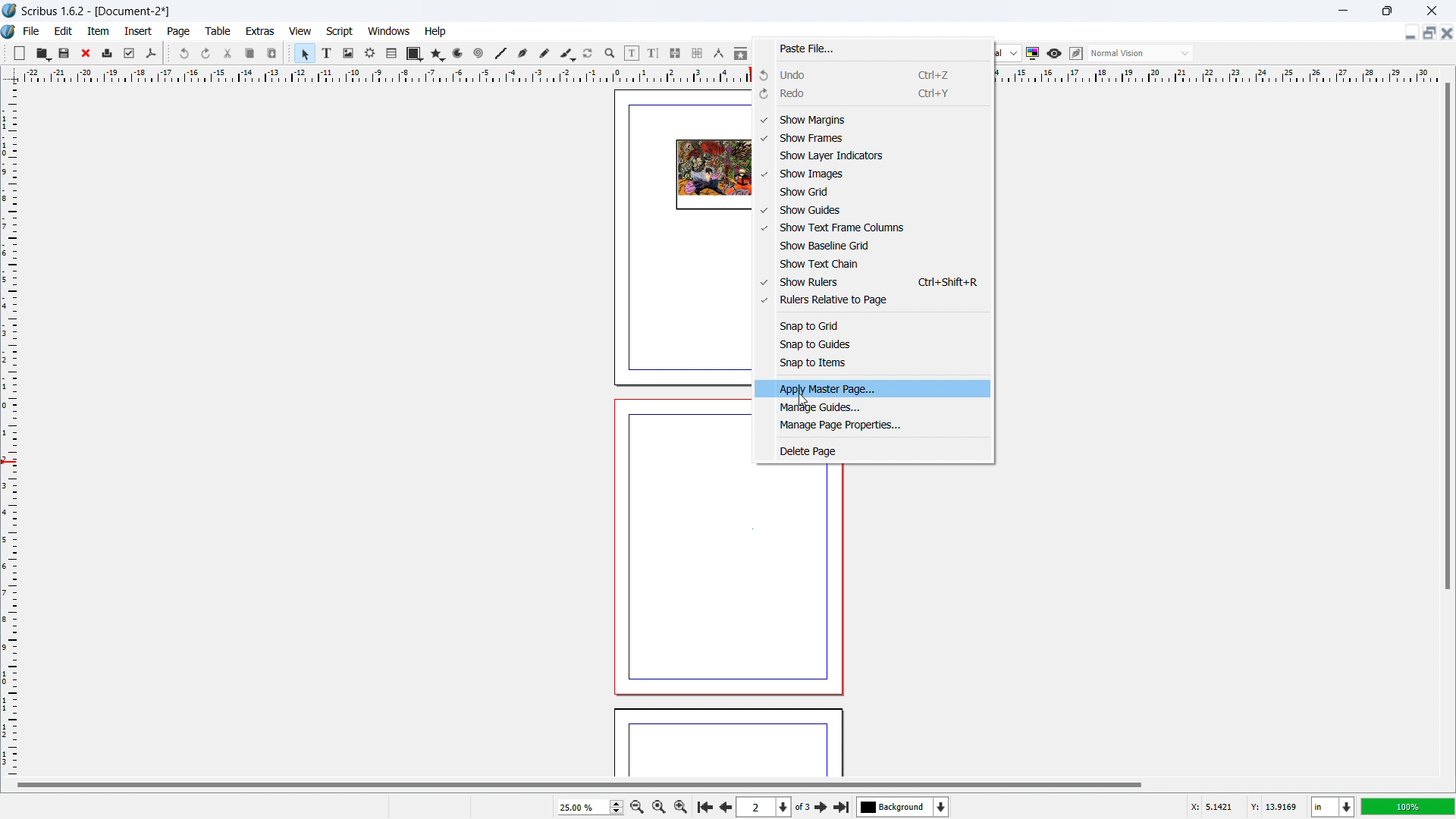 The image size is (1456, 819). I want to click on paste, so click(272, 53).